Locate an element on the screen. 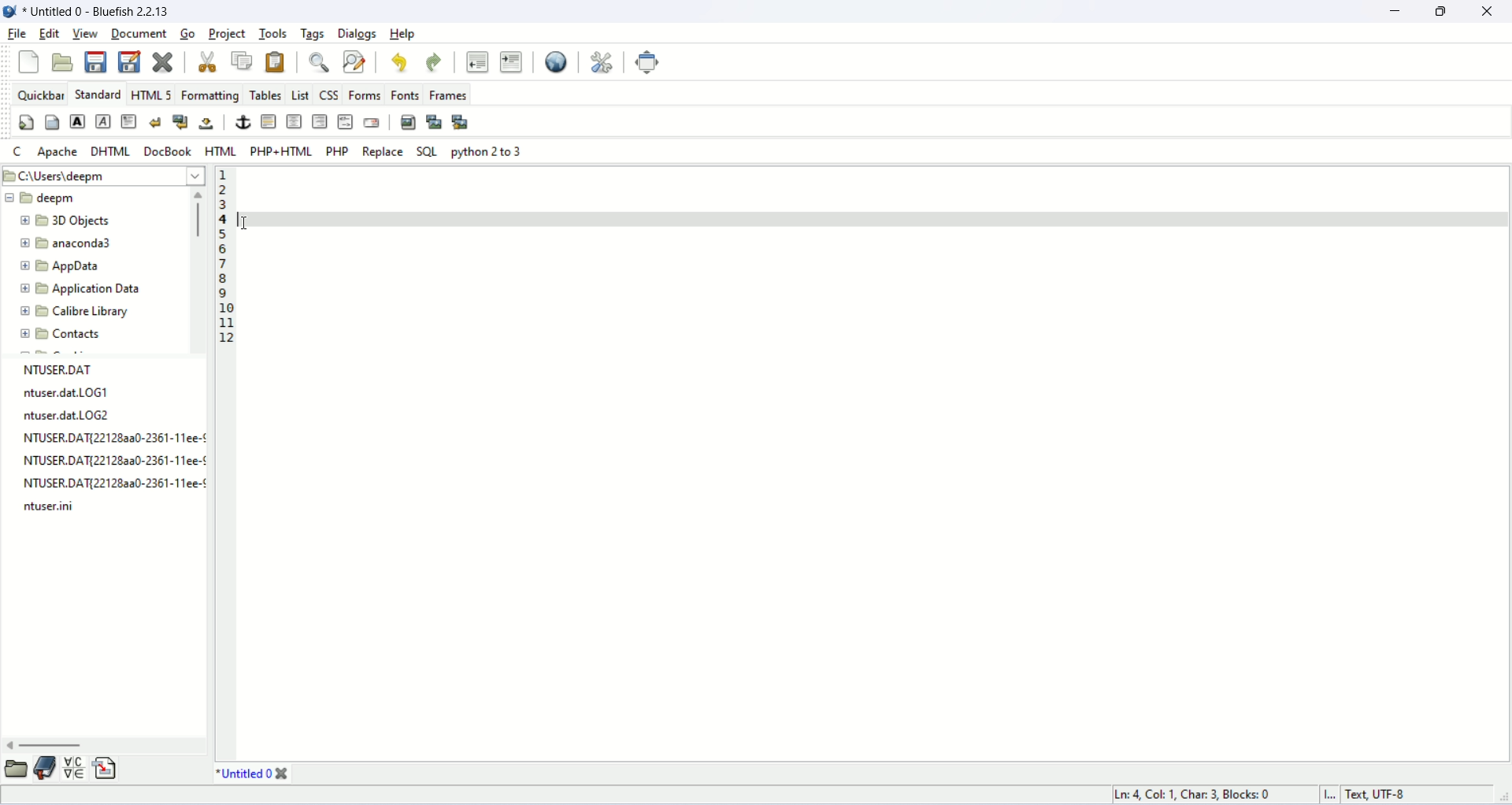 The height and width of the screenshot is (805, 1512). SQL is located at coordinates (429, 152).